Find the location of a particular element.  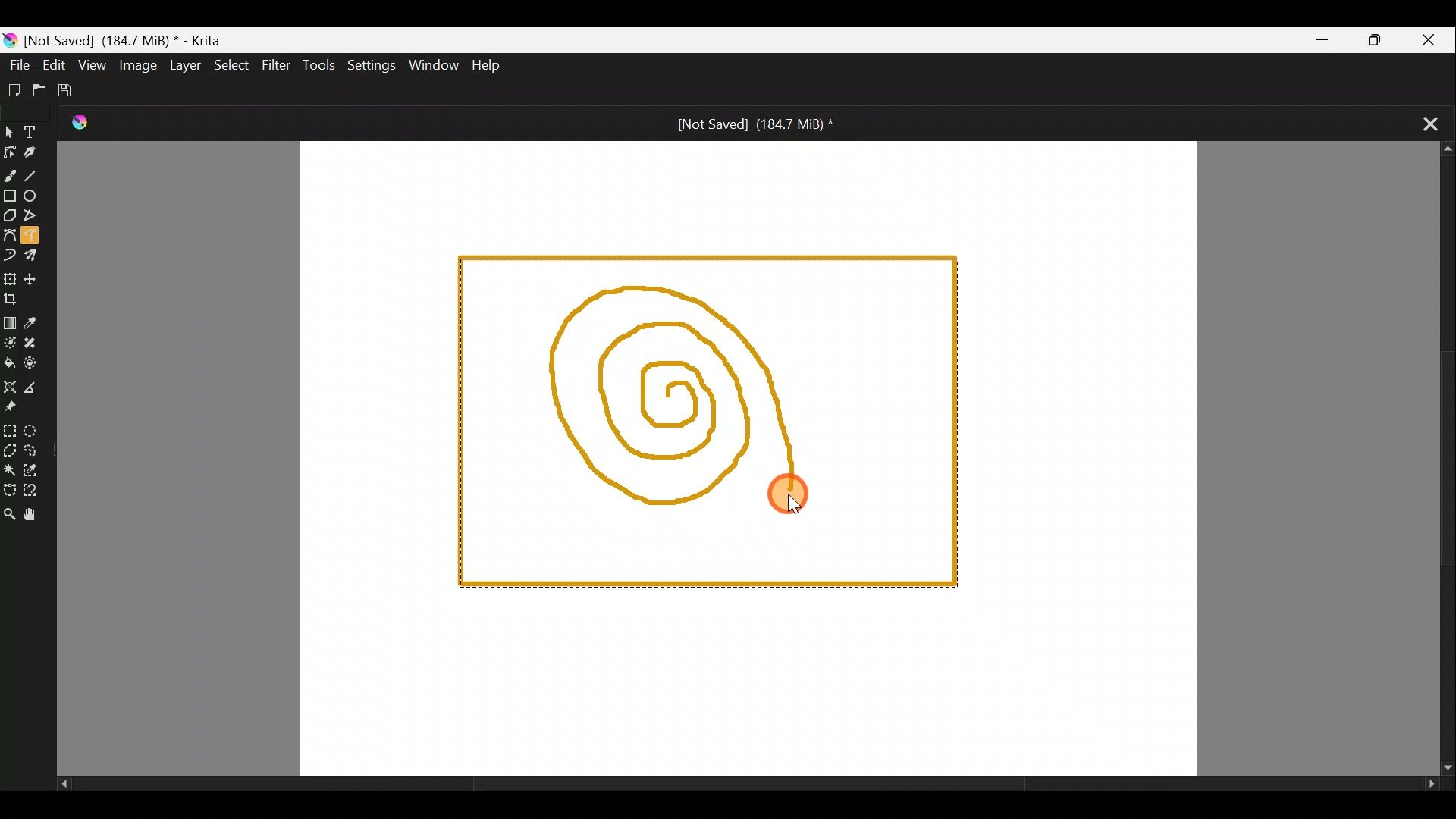

Polygon tool is located at coordinates (9, 215).